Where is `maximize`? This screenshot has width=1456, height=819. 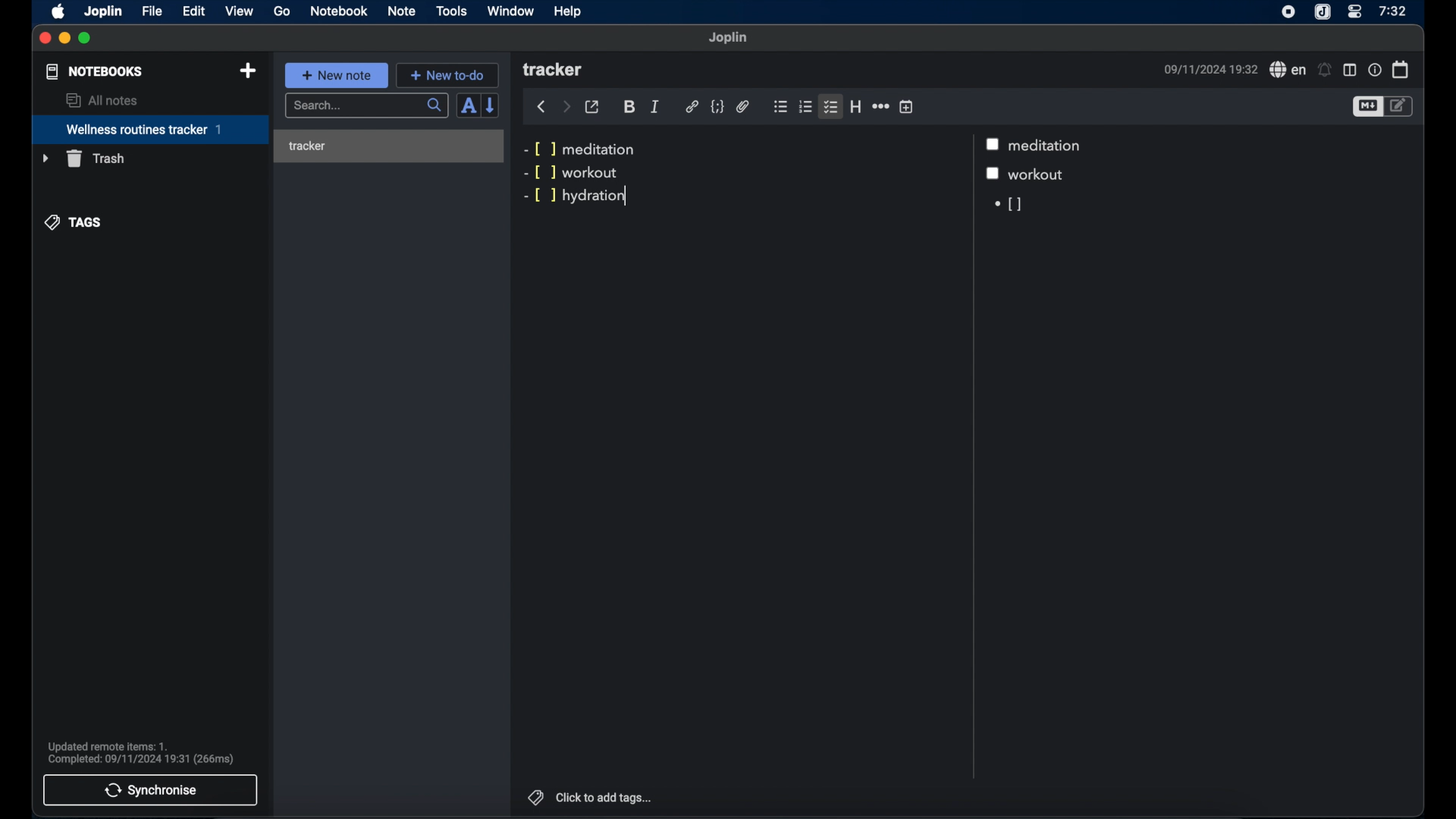 maximize is located at coordinates (86, 39).